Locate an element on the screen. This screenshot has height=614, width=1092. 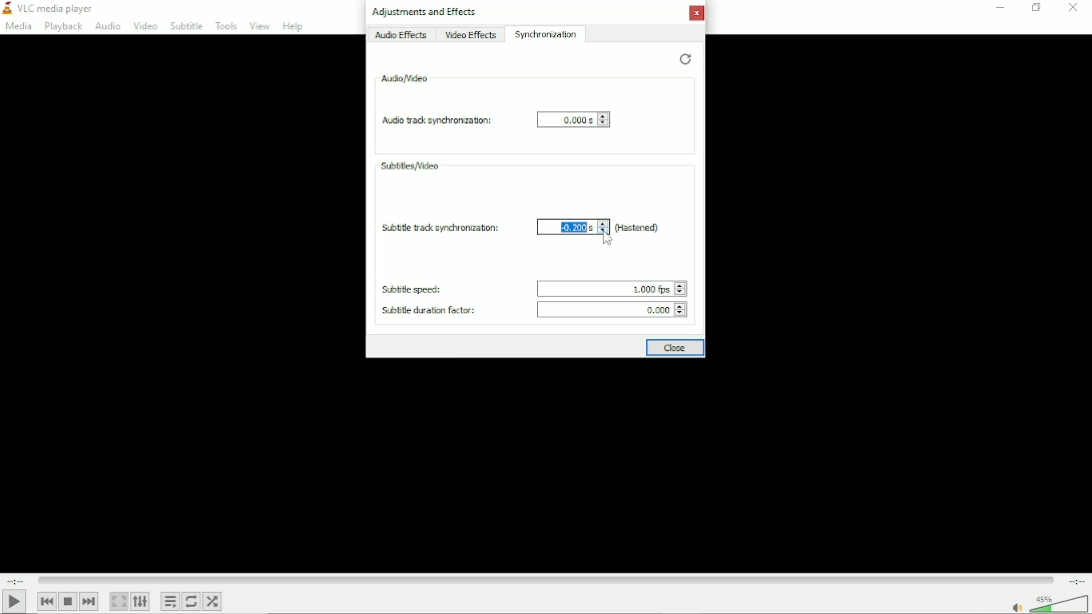
Close is located at coordinates (695, 13).